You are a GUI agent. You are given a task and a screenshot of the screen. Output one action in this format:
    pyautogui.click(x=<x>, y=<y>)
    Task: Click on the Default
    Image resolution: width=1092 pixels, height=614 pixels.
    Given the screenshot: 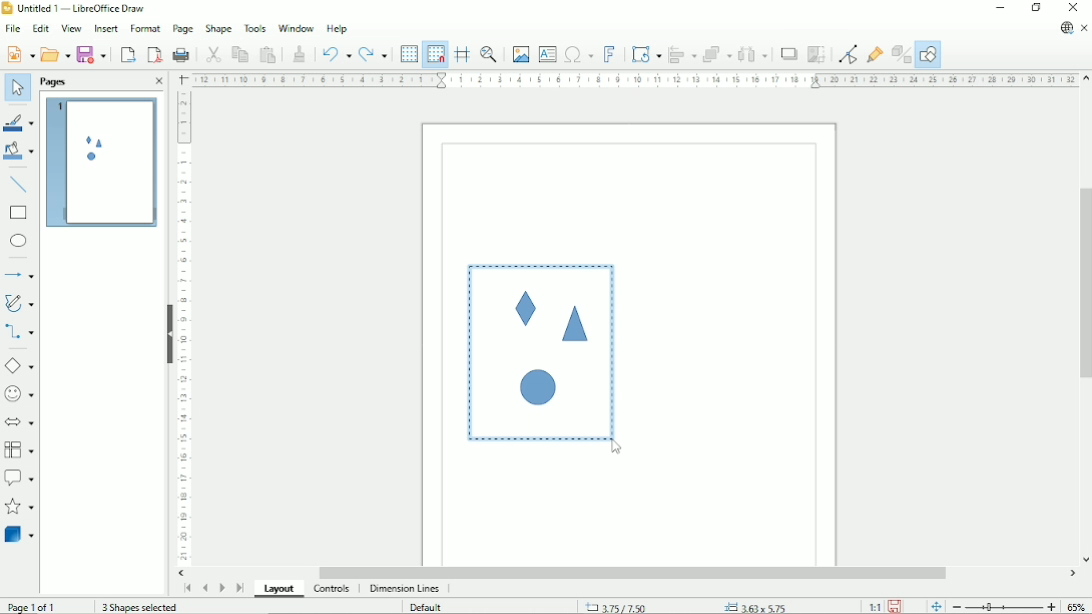 What is the action you would take?
    pyautogui.click(x=425, y=607)
    